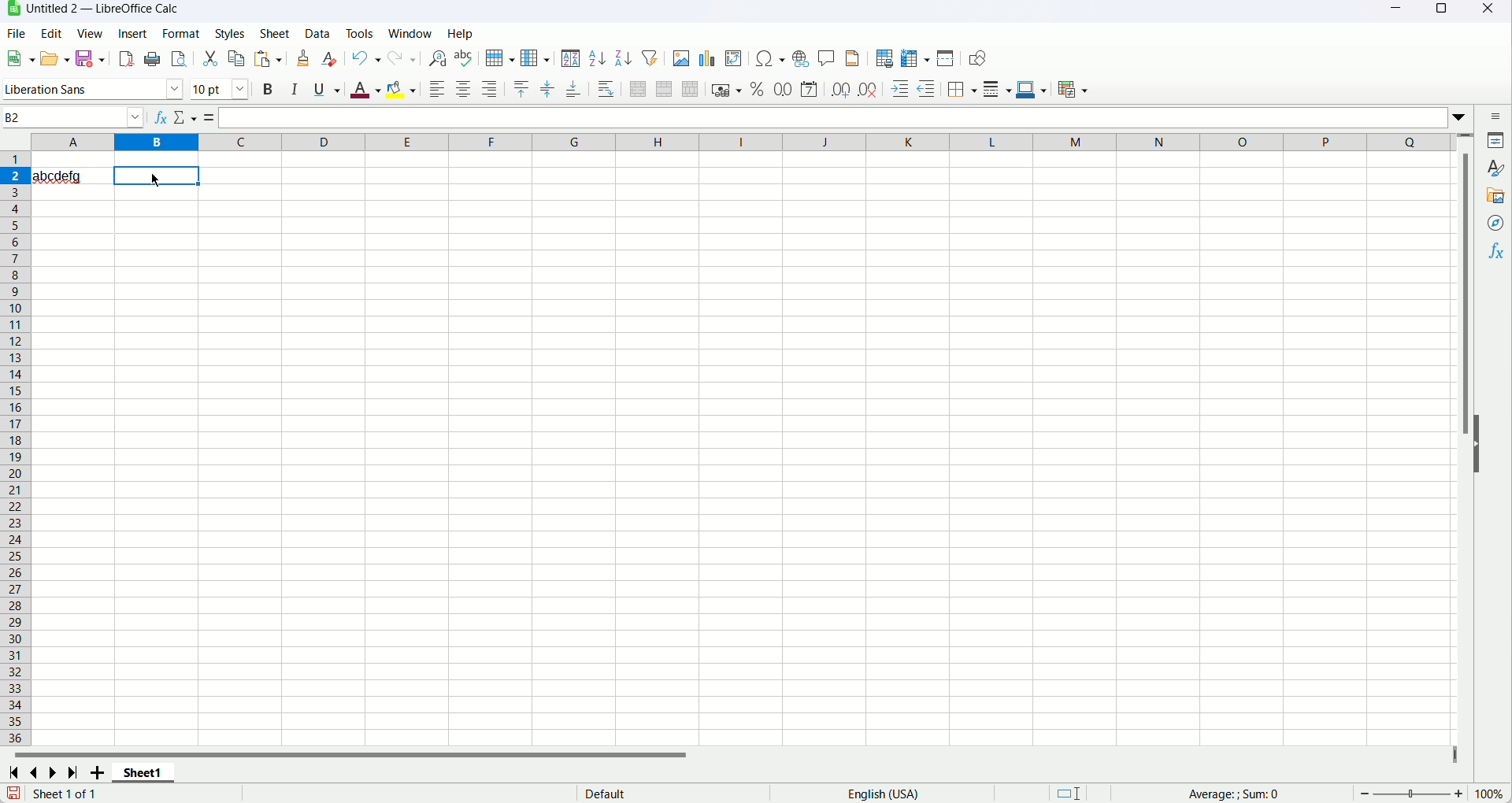  What do you see at coordinates (1490, 9) in the screenshot?
I see `close` at bounding box center [1490, 9].